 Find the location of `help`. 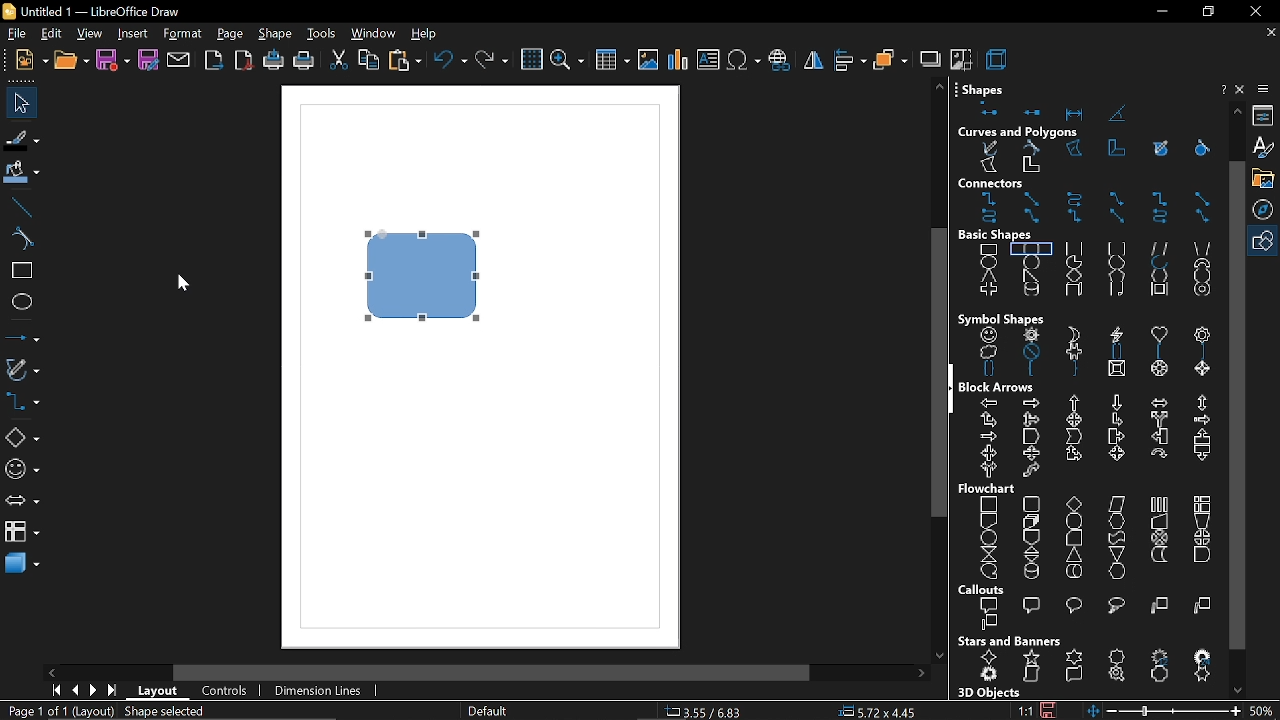

help is located at coordinates (425, 35).